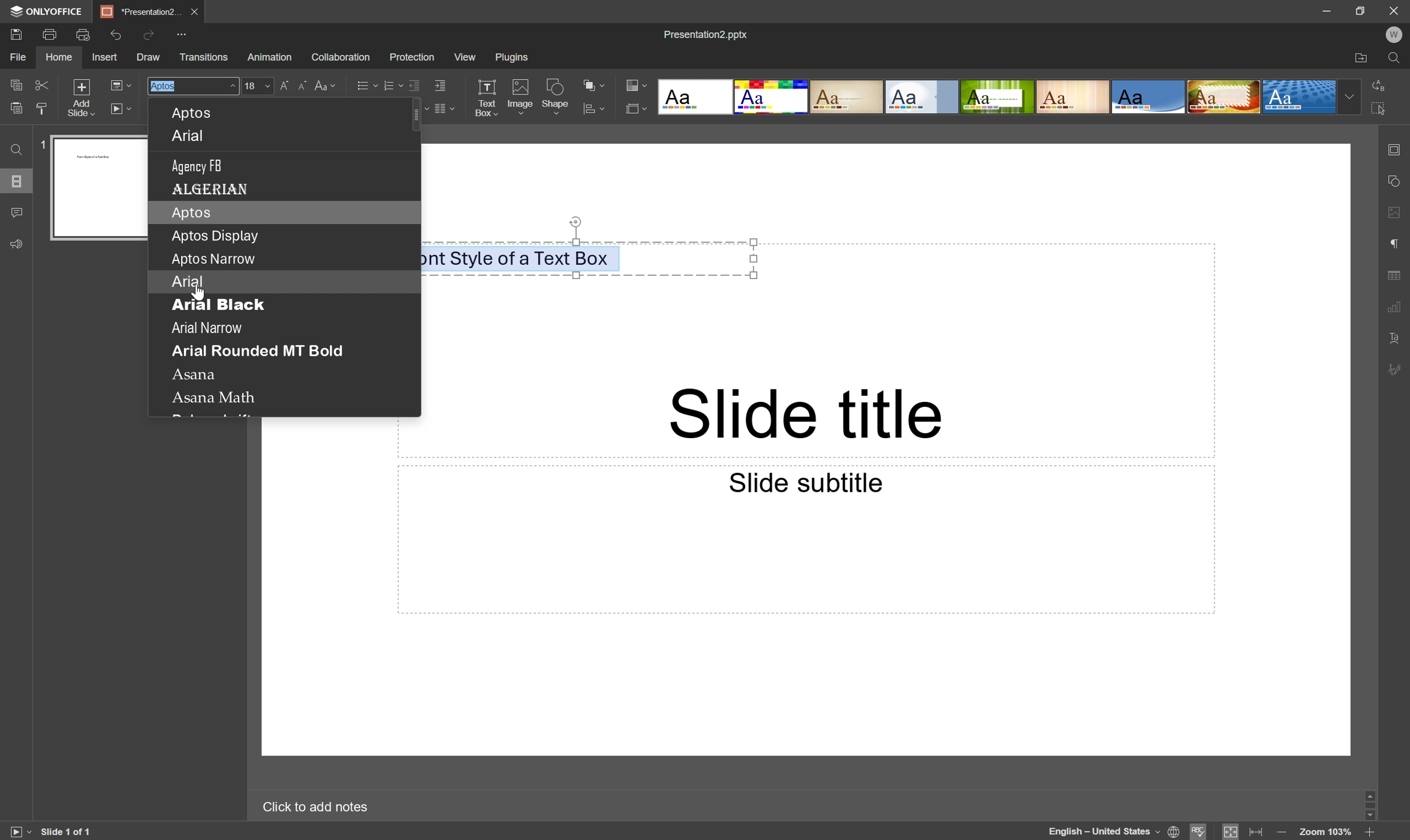 Image resolution: width=1410 pixels, height=840 pixels. What do you see at coordinates (636, 85) in the screenshot?
I see `Change color theme` at bounding box center [636, 85].